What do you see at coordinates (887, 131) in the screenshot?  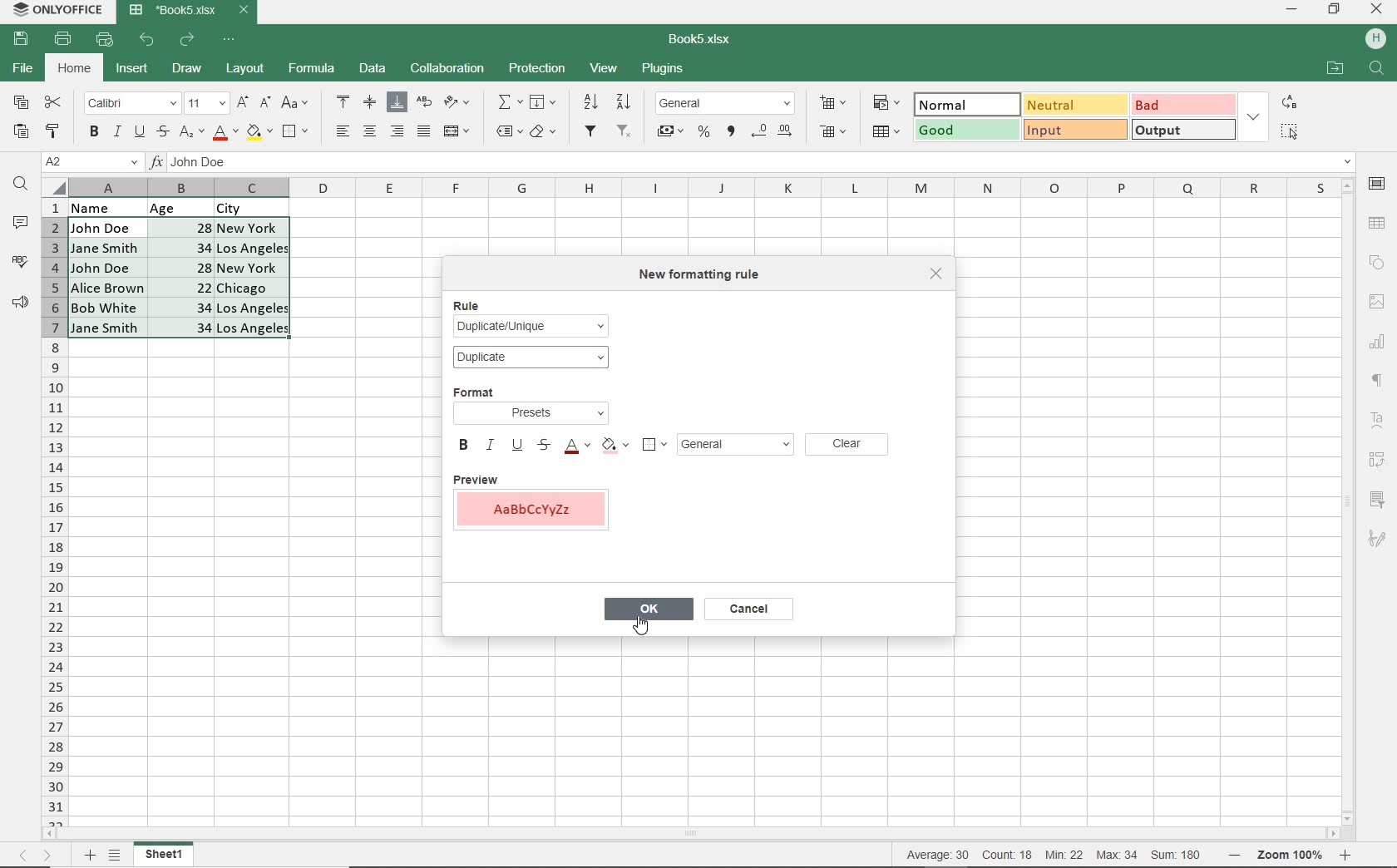 I see `FORMAT AS TABLE TEMPLATE` at bounding box center [887, 131].